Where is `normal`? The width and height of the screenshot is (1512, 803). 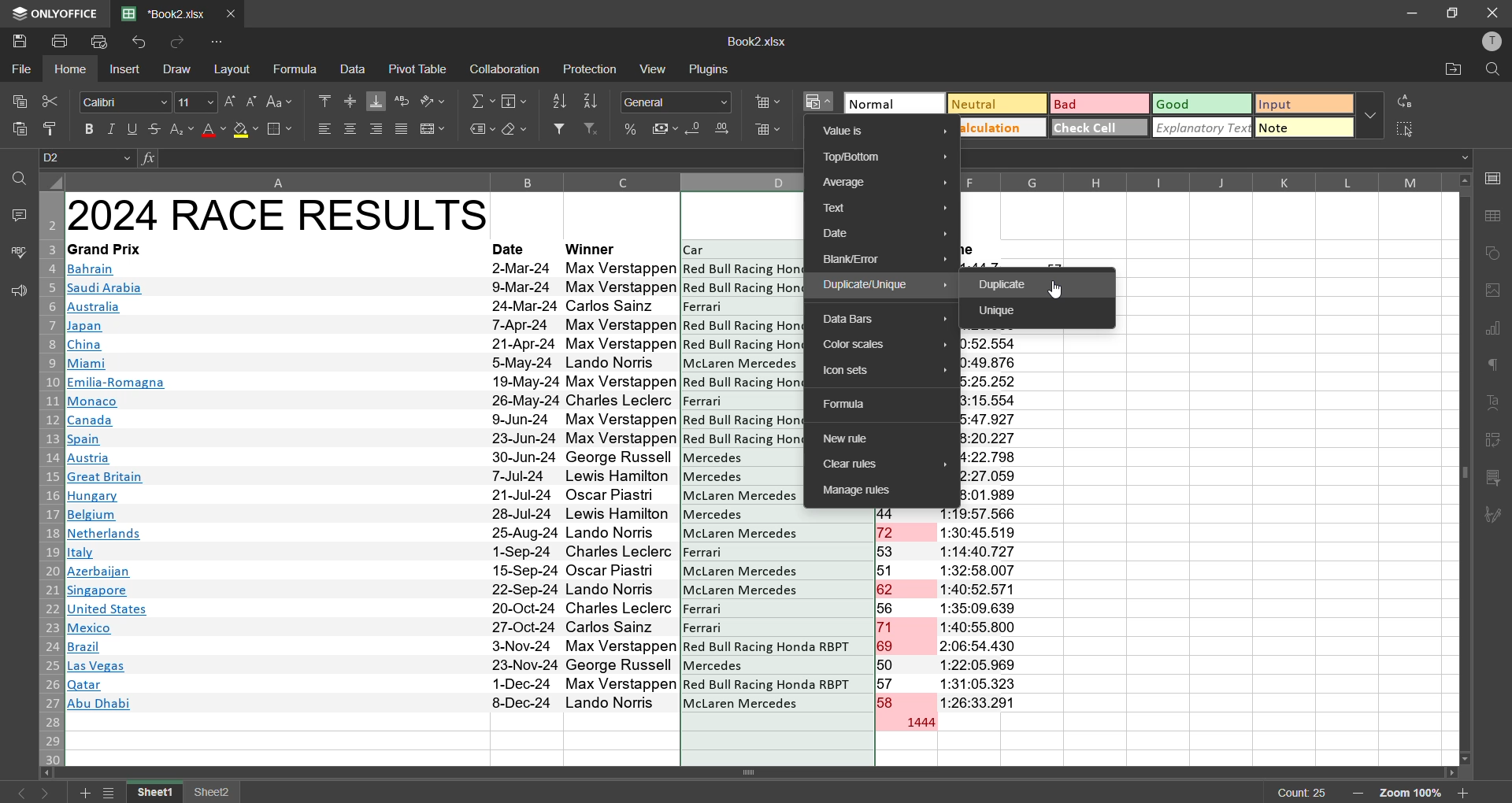
normal is located at coordinates (892, 103).